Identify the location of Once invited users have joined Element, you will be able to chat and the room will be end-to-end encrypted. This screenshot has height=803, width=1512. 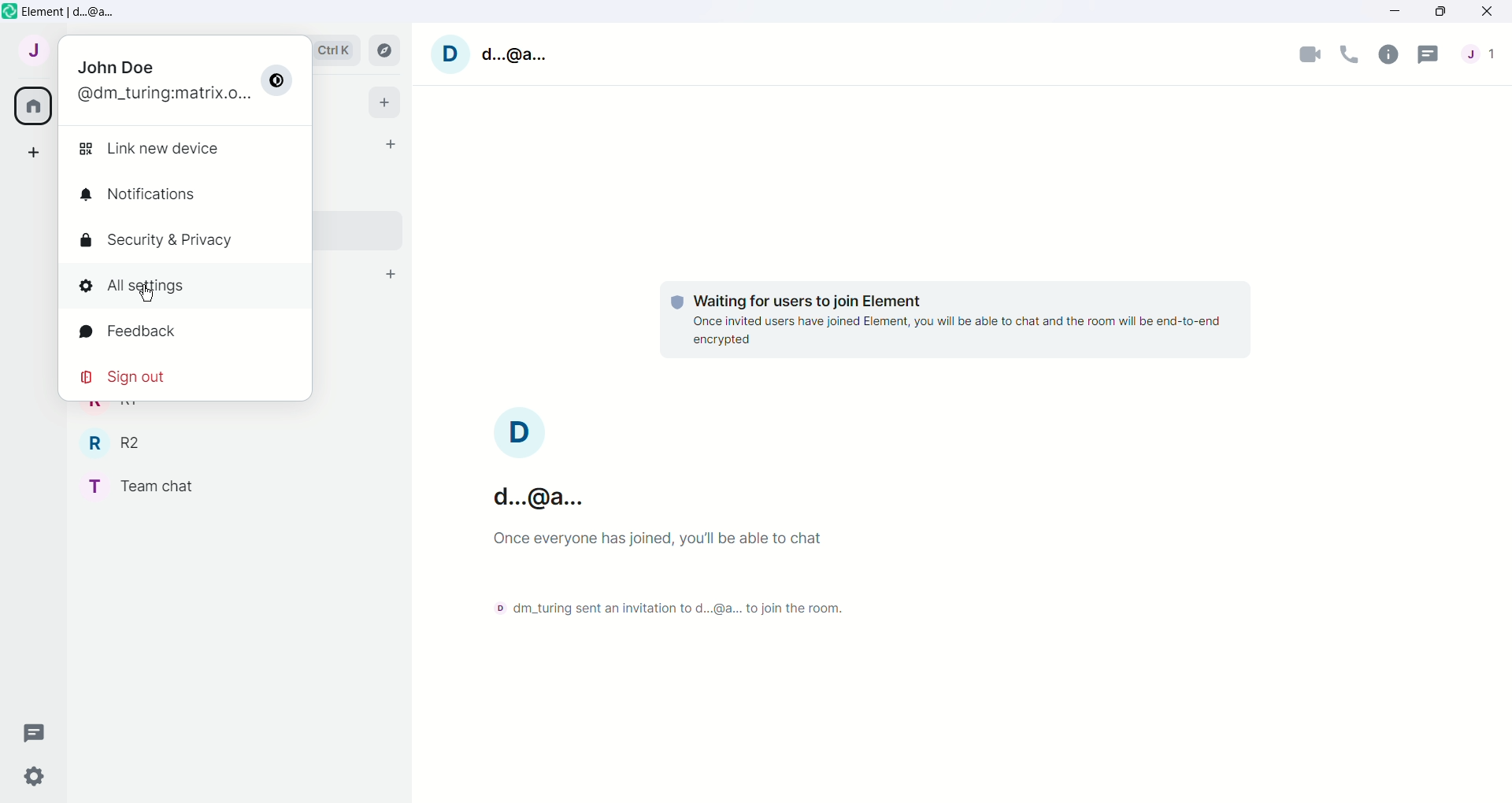
(956, 331).